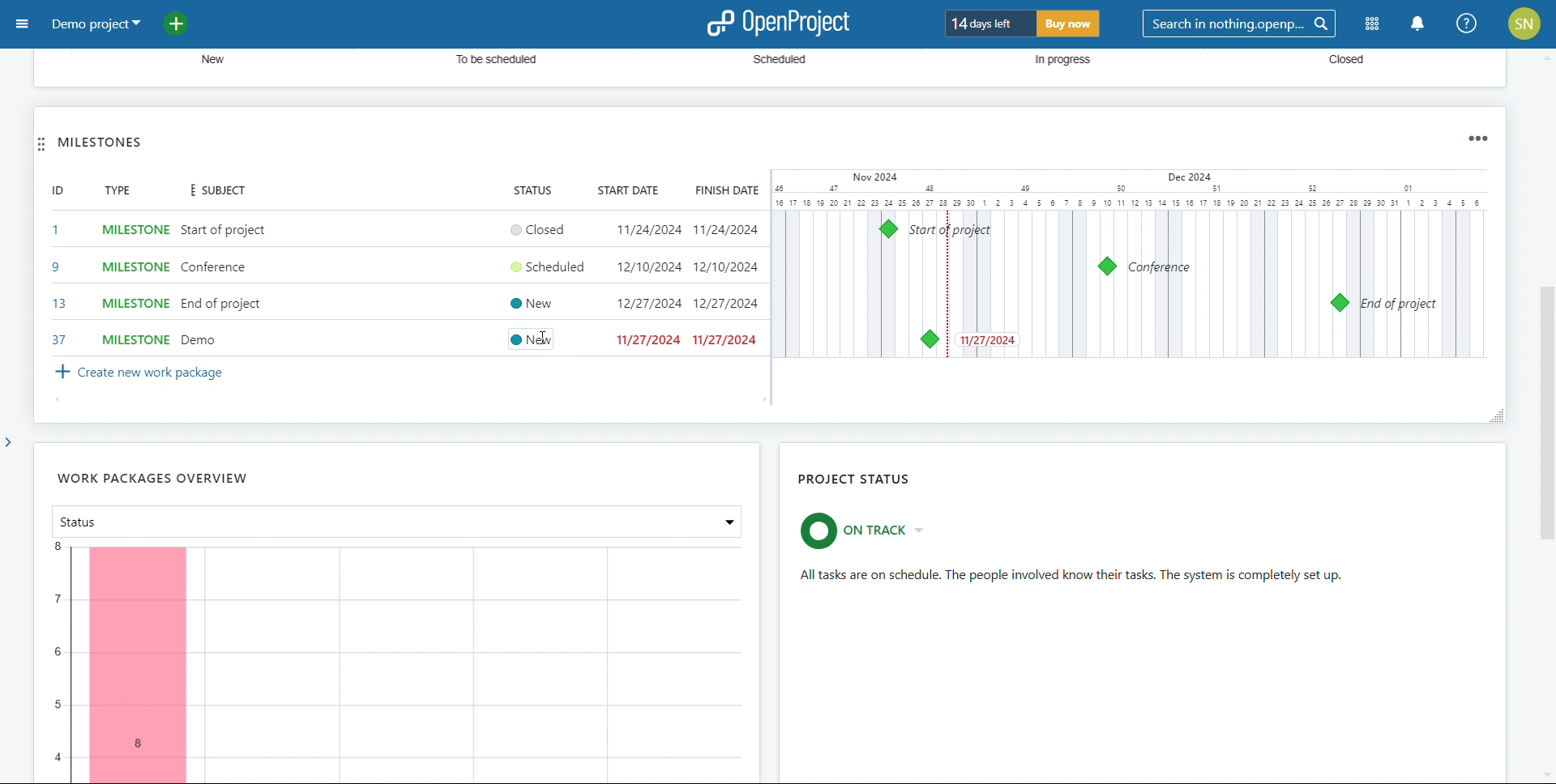 The image size is (1556, 784). Describe the element at coordinates (136, 372) in the screenshot. I see `create new work package` at that location.